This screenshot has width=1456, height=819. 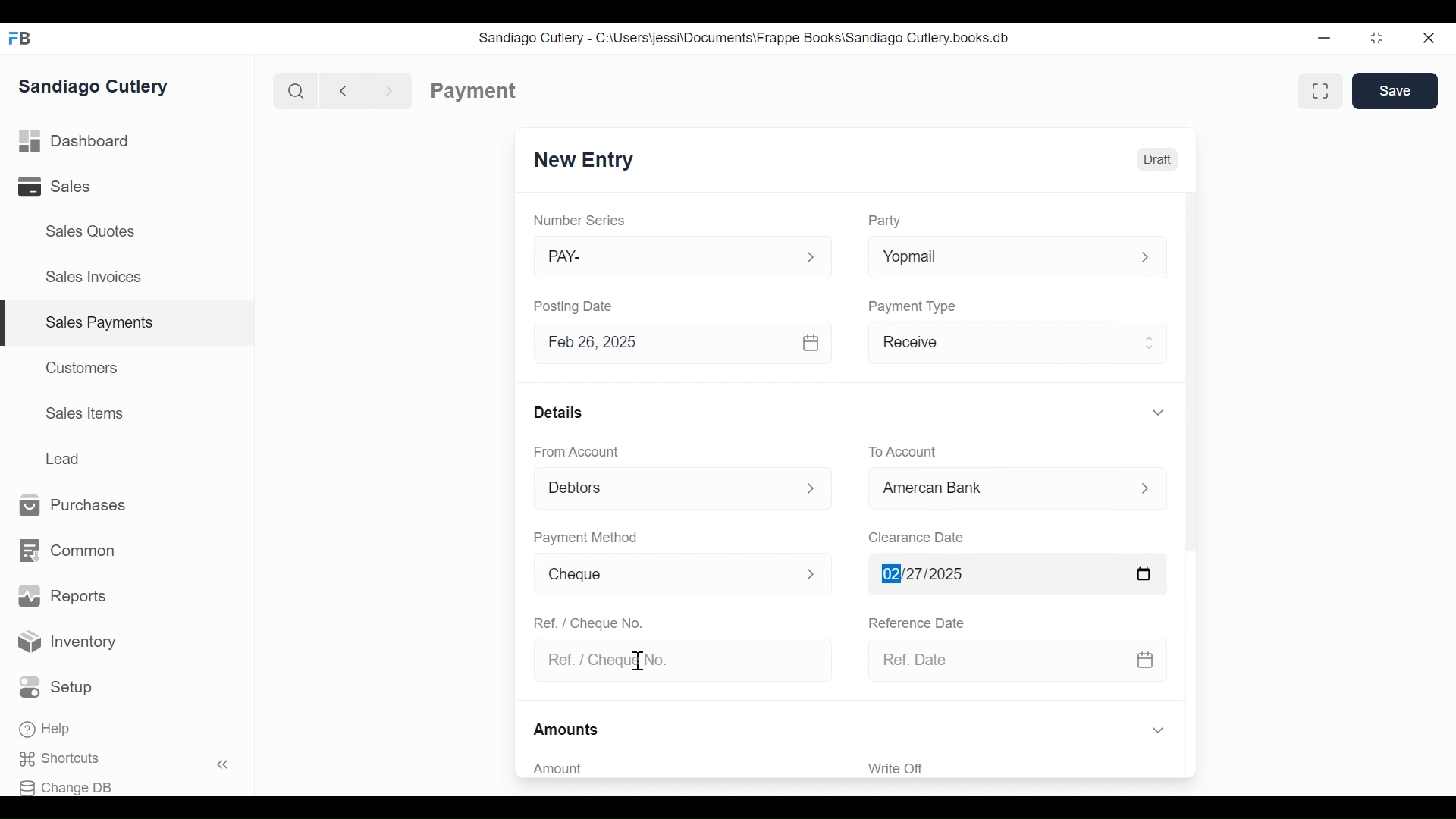 What do you see at coordinates (997, 345) in the screenshot?
I see `Receive` at bounding box center [997, 345].